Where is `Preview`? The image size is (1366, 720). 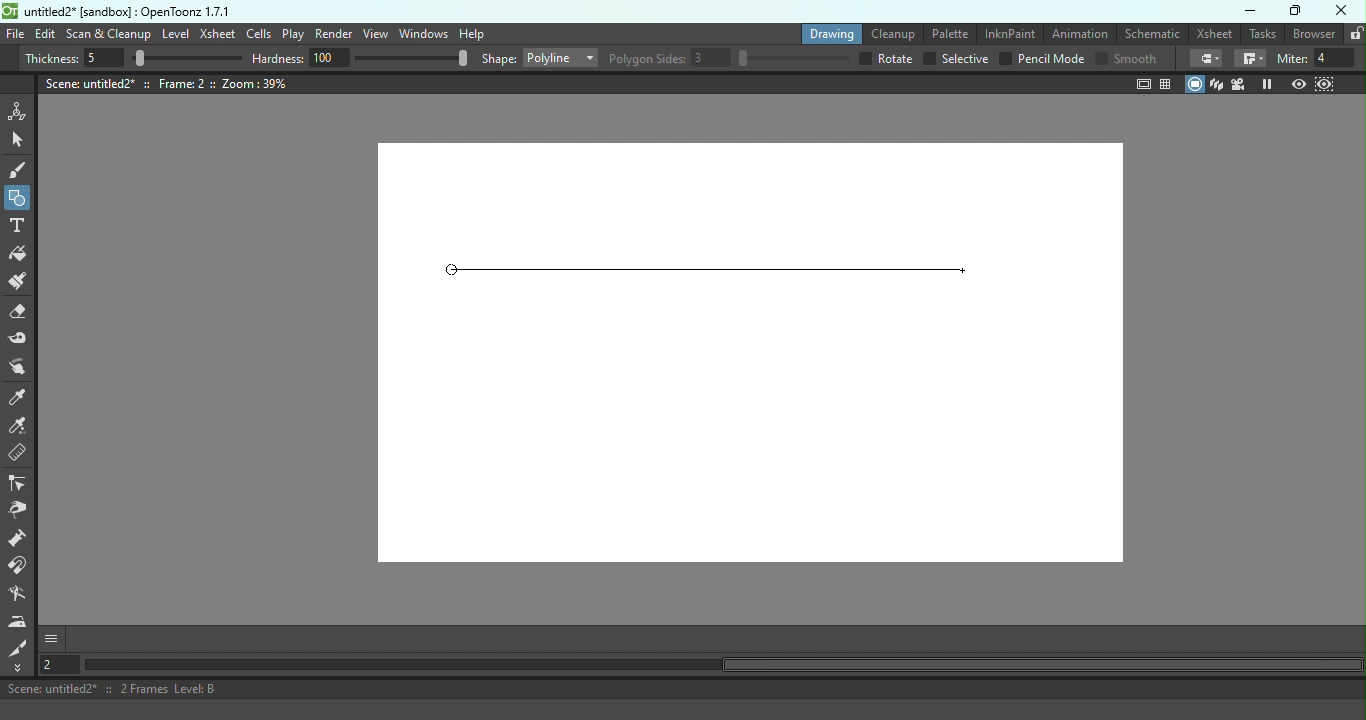
Preview is located at coordinates (1300, 82).